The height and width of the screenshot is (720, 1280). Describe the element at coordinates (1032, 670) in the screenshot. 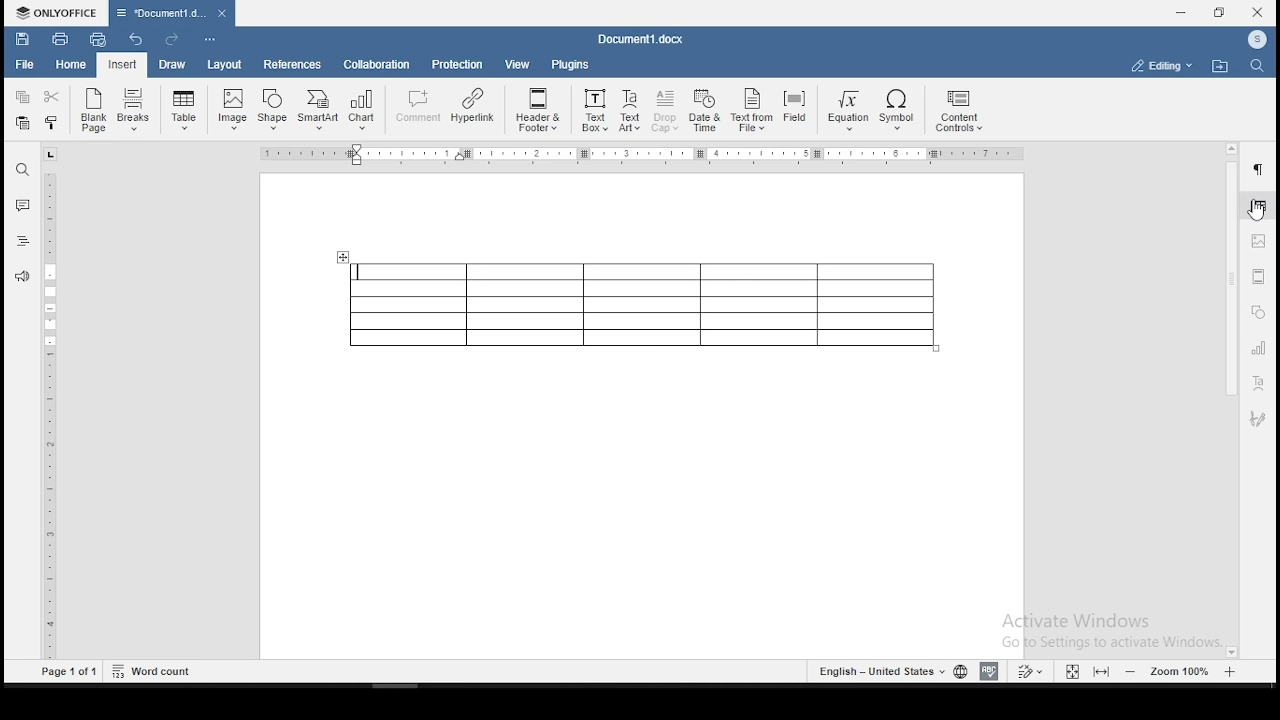

I see `track changes` at that location.